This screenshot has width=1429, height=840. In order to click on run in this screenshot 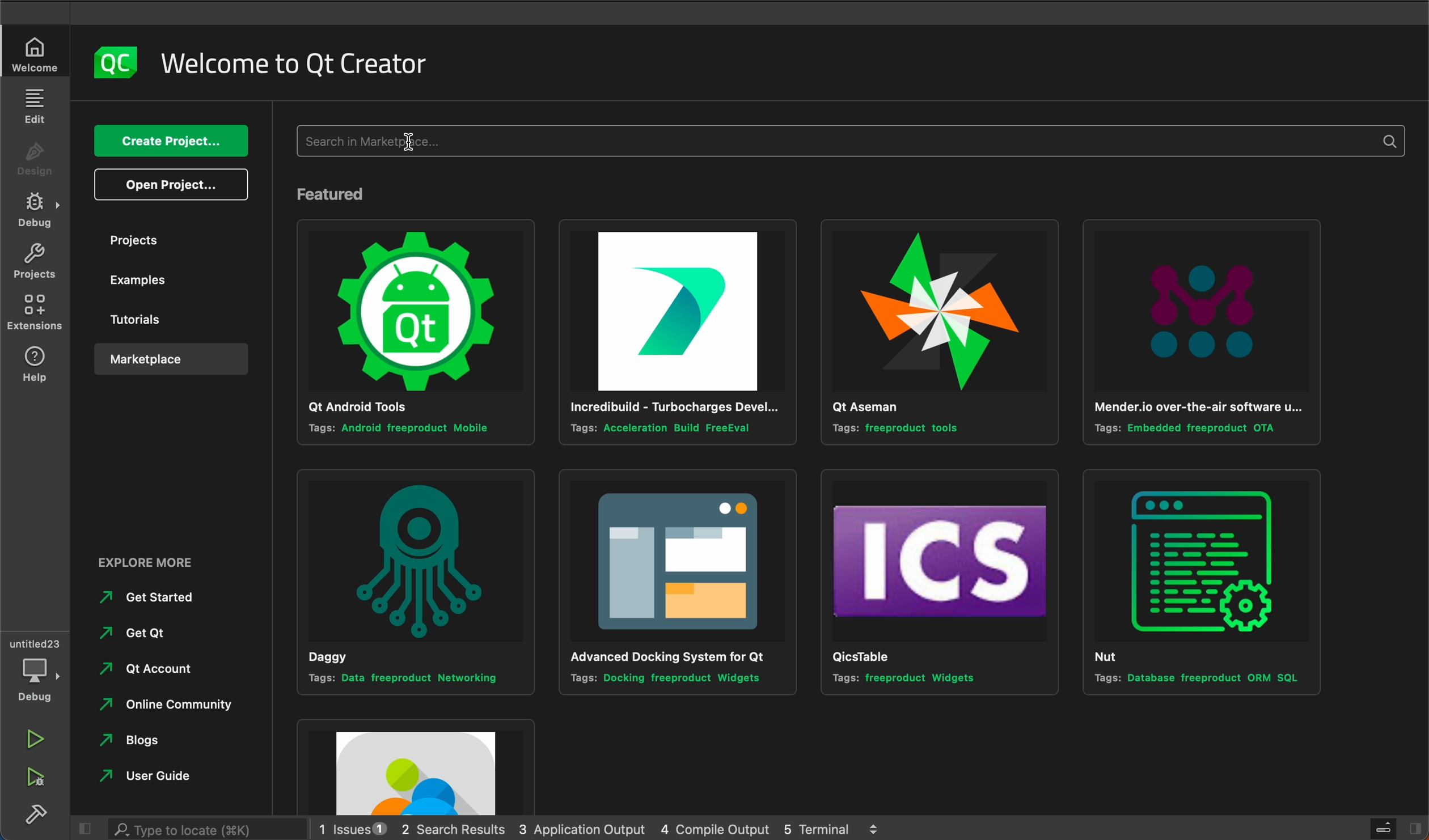, I will do `click(35, 737)`.